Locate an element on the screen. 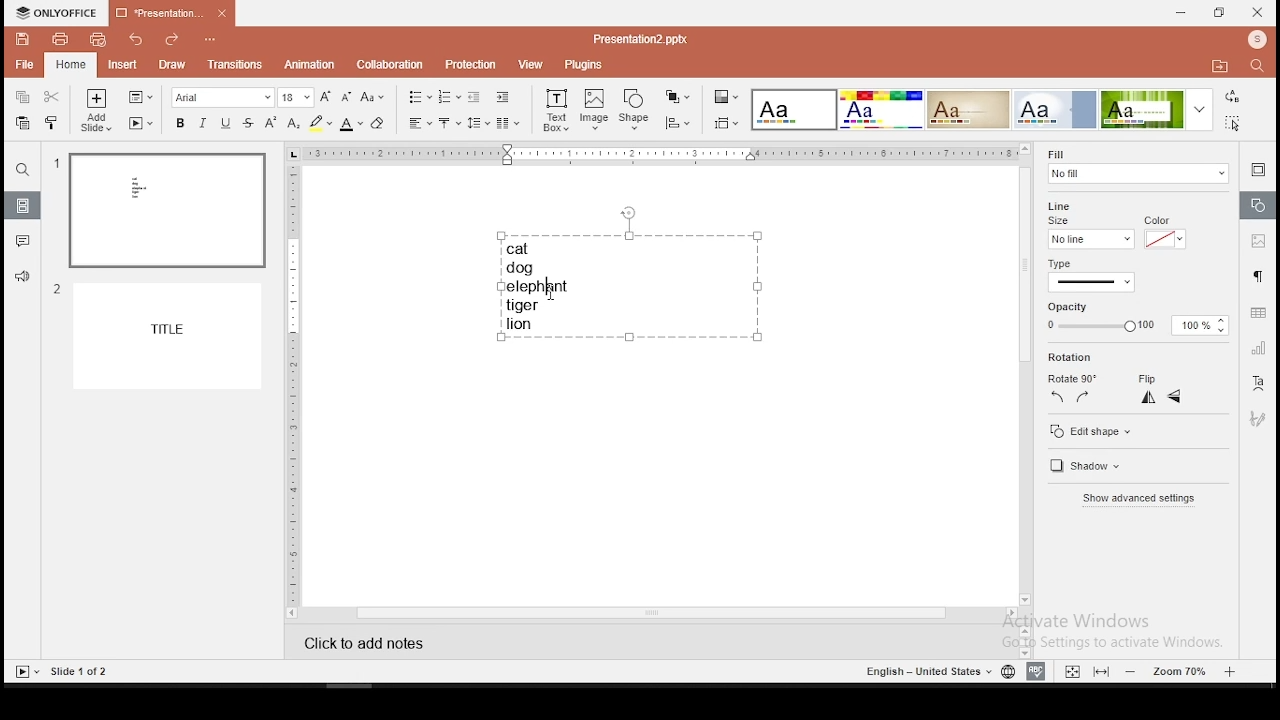 This screenshot has height=720, width=1280. draw is located at coordinates (172, 64).